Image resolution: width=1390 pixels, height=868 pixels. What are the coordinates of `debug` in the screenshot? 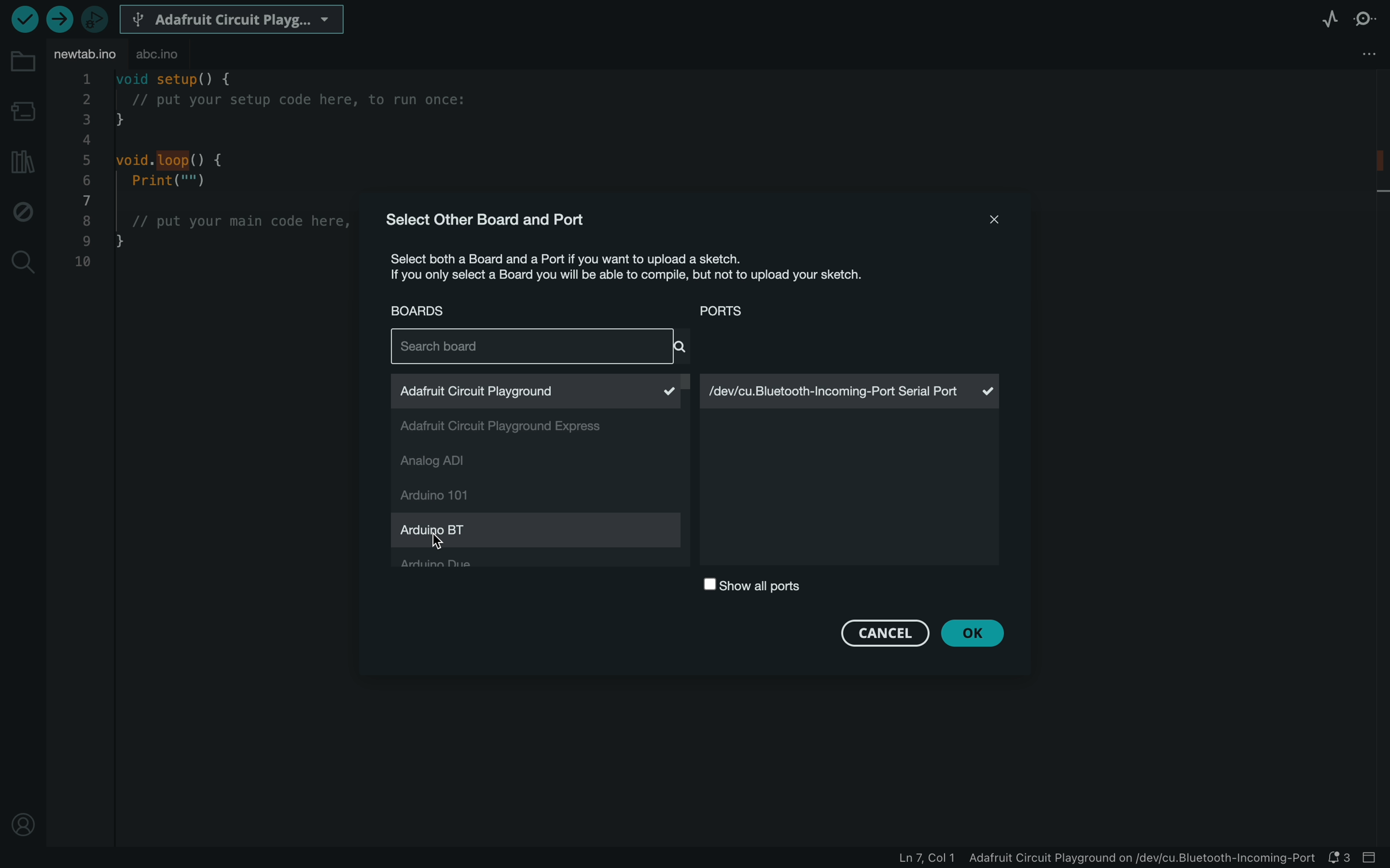 It's located at (22, 209).